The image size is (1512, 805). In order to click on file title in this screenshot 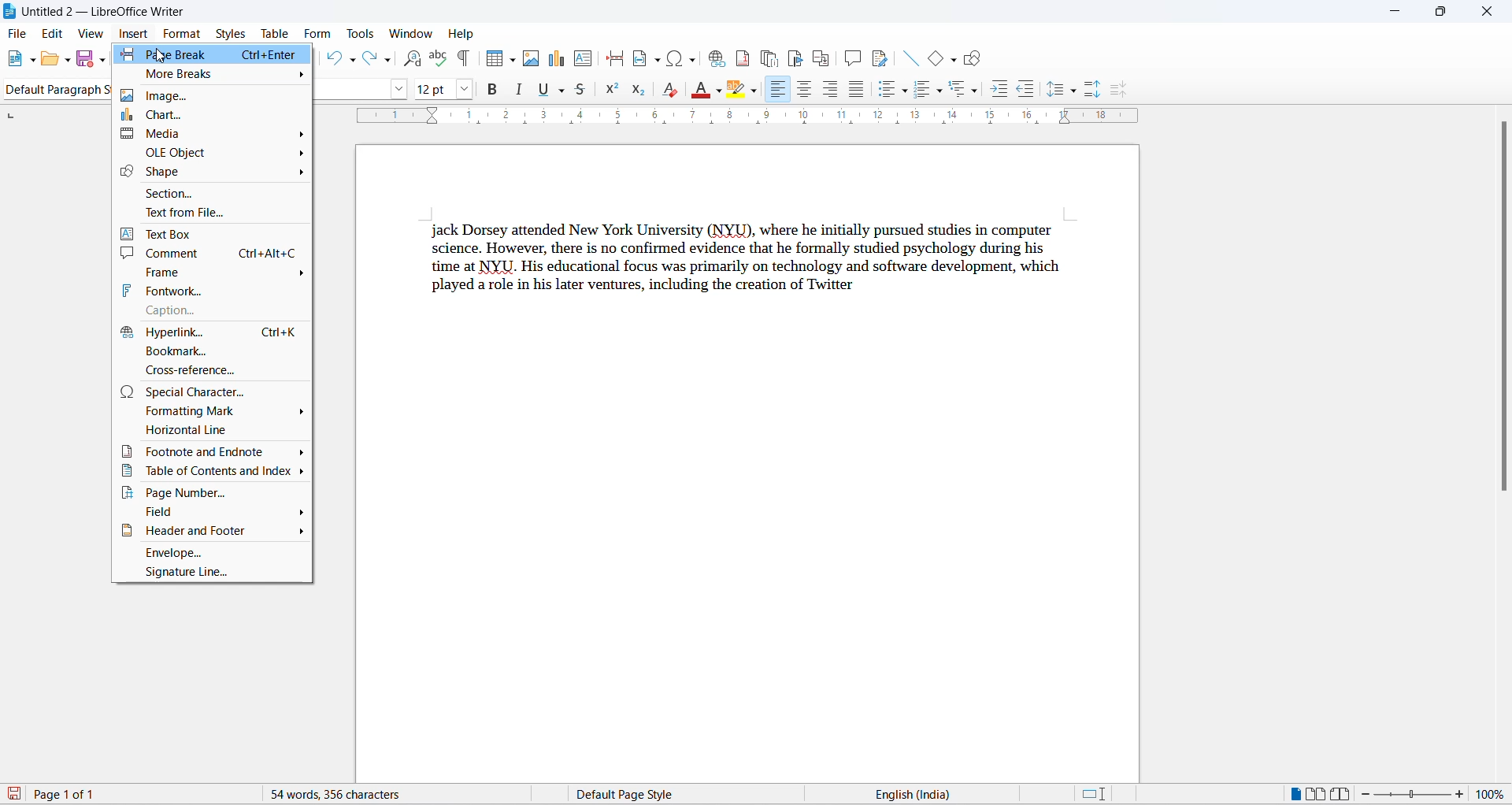, I will do `click(106, 10)`.